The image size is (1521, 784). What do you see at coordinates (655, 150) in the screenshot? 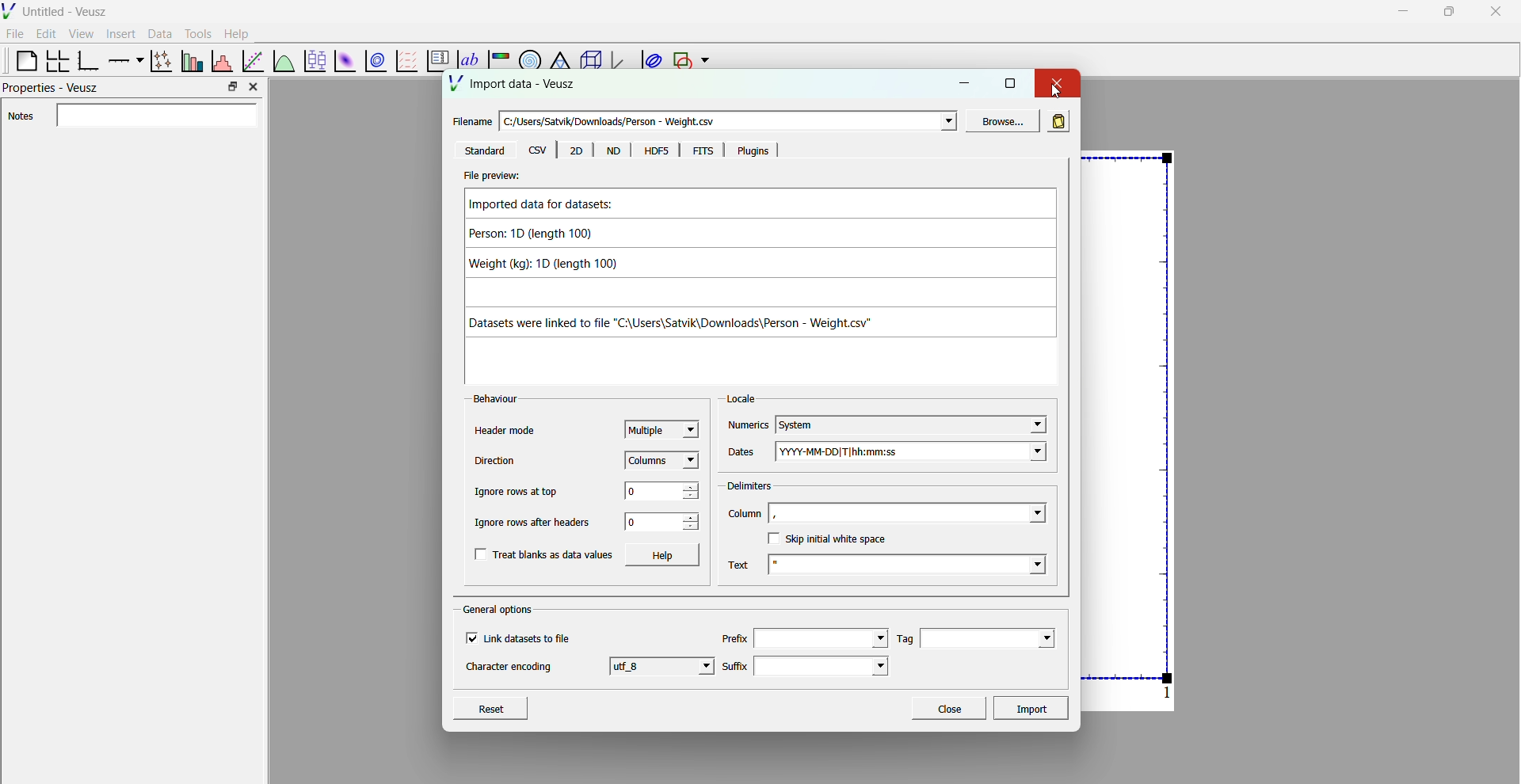
I see `HOFS` at bounding box center [655, 150].